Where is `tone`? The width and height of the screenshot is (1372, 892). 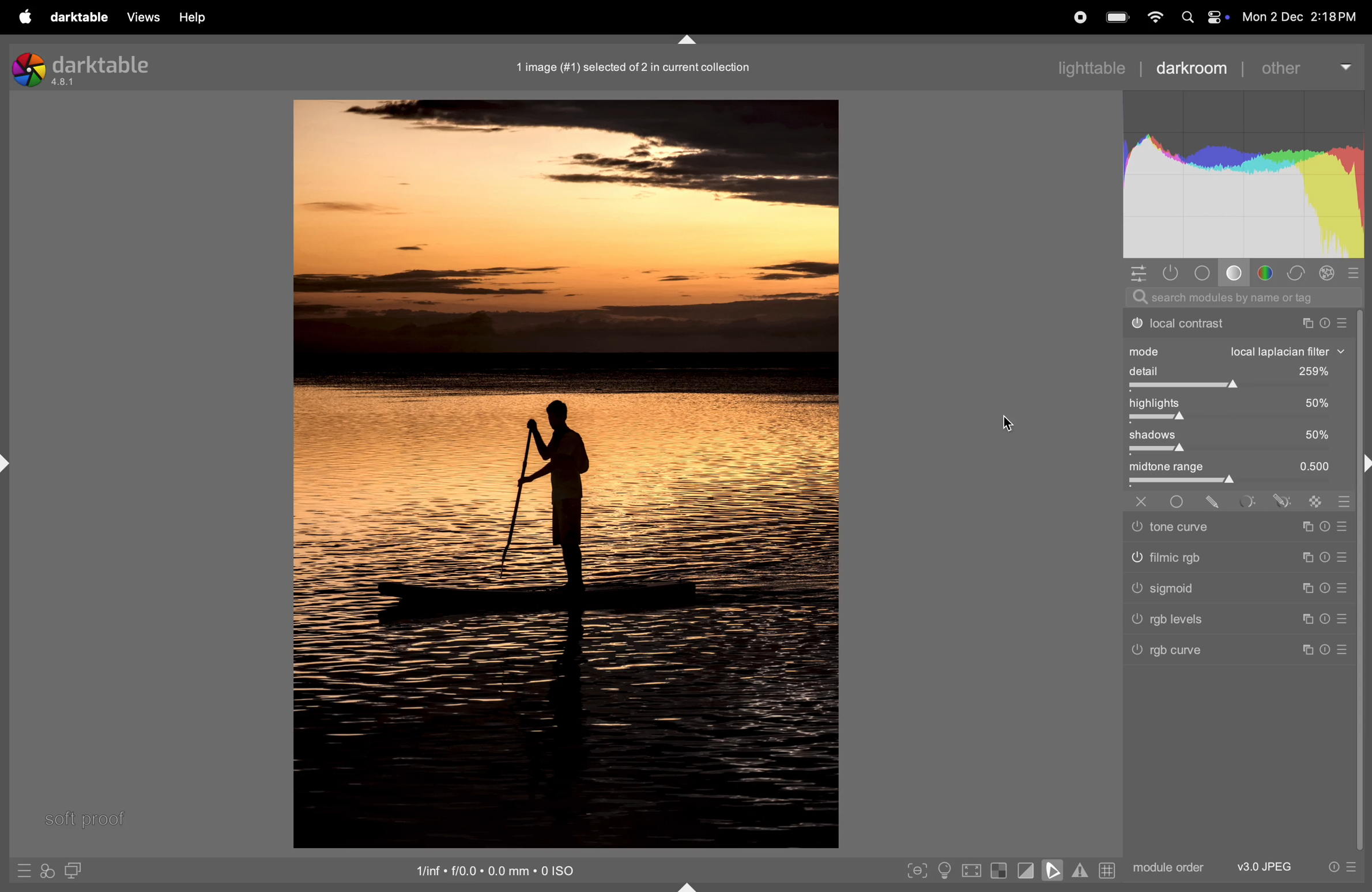 tone is located at coordinates (1234, 273).